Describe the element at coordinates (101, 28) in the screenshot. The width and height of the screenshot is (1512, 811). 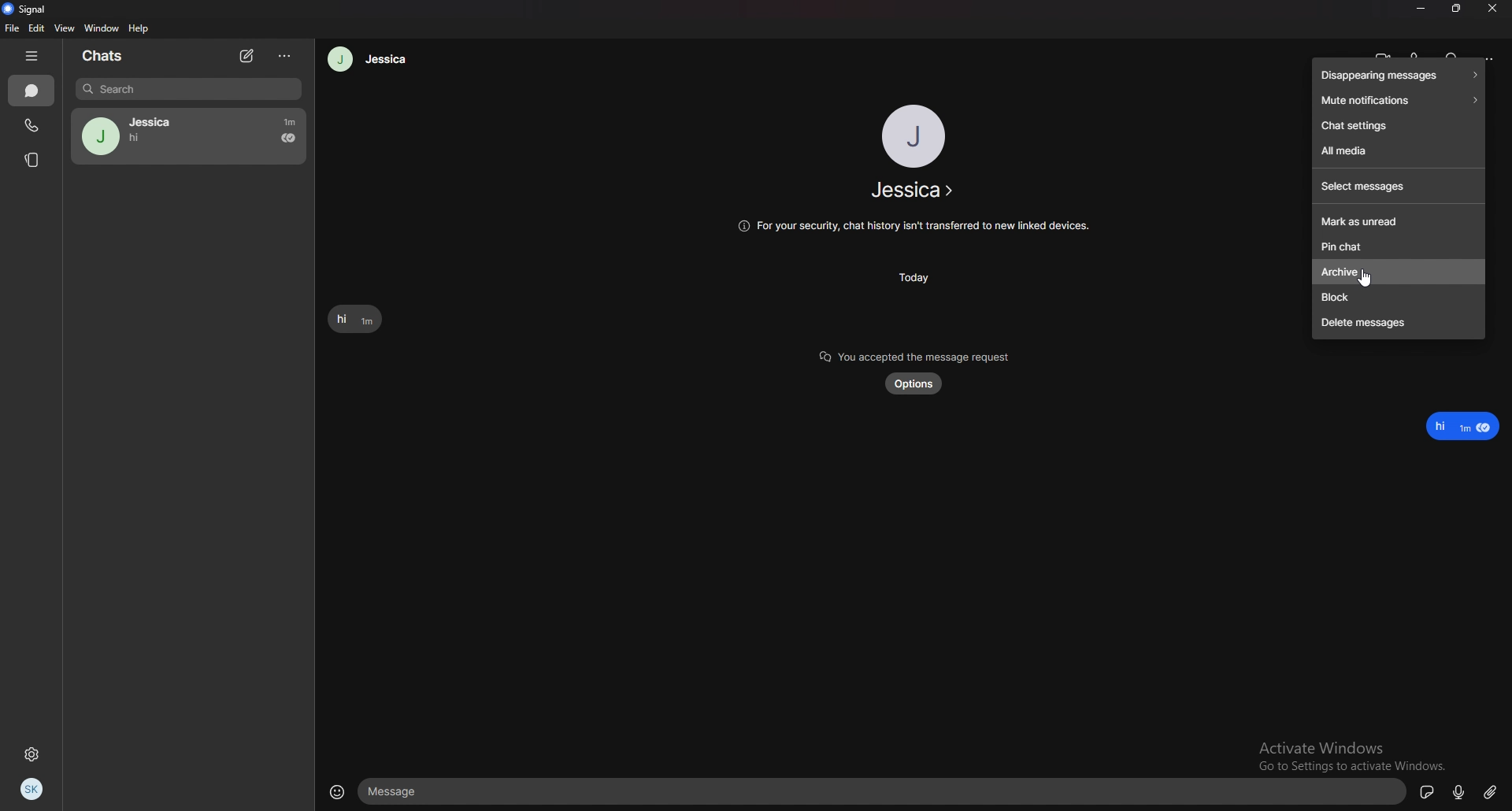
I see `Window` at that location.